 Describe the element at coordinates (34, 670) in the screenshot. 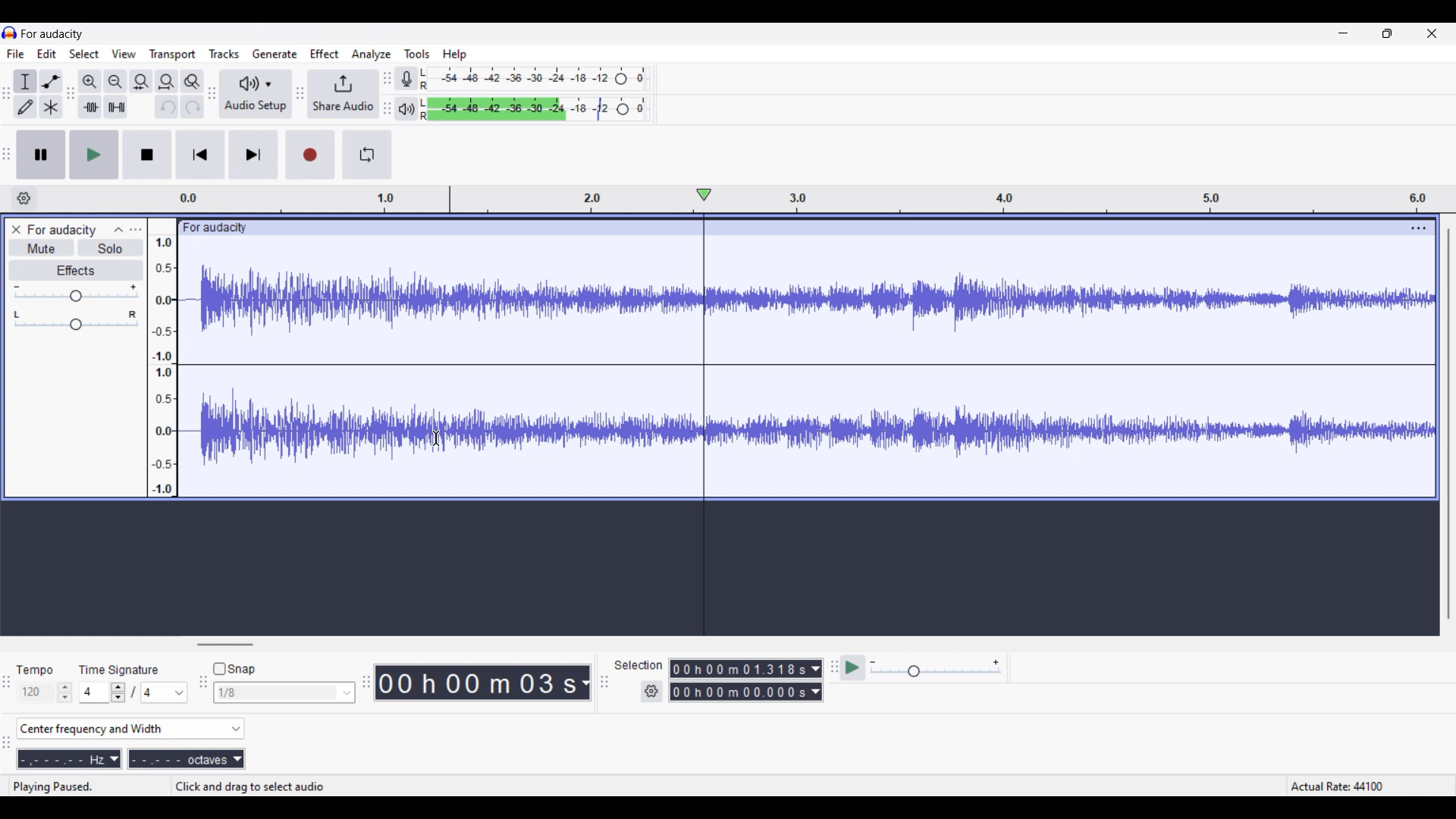

I see `Indicates Tempo settings` at that location.